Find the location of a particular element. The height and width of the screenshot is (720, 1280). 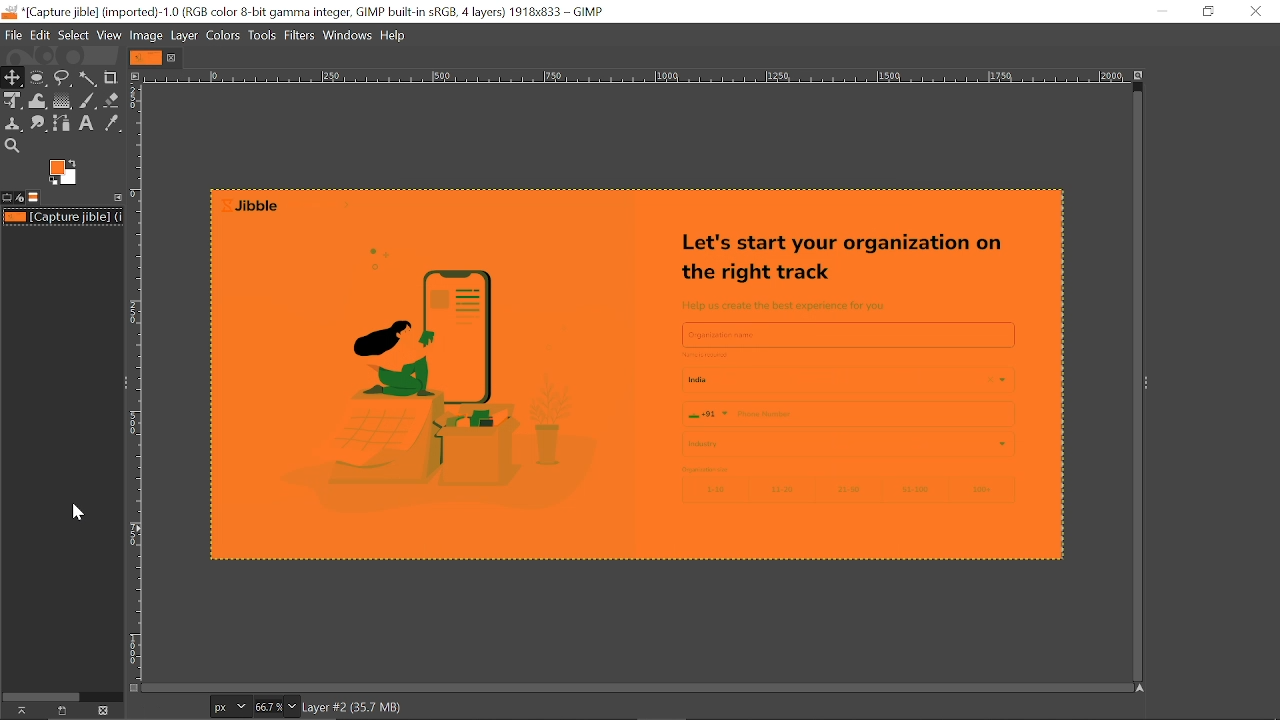

Zoom tool is located at coordinates (11, 145).